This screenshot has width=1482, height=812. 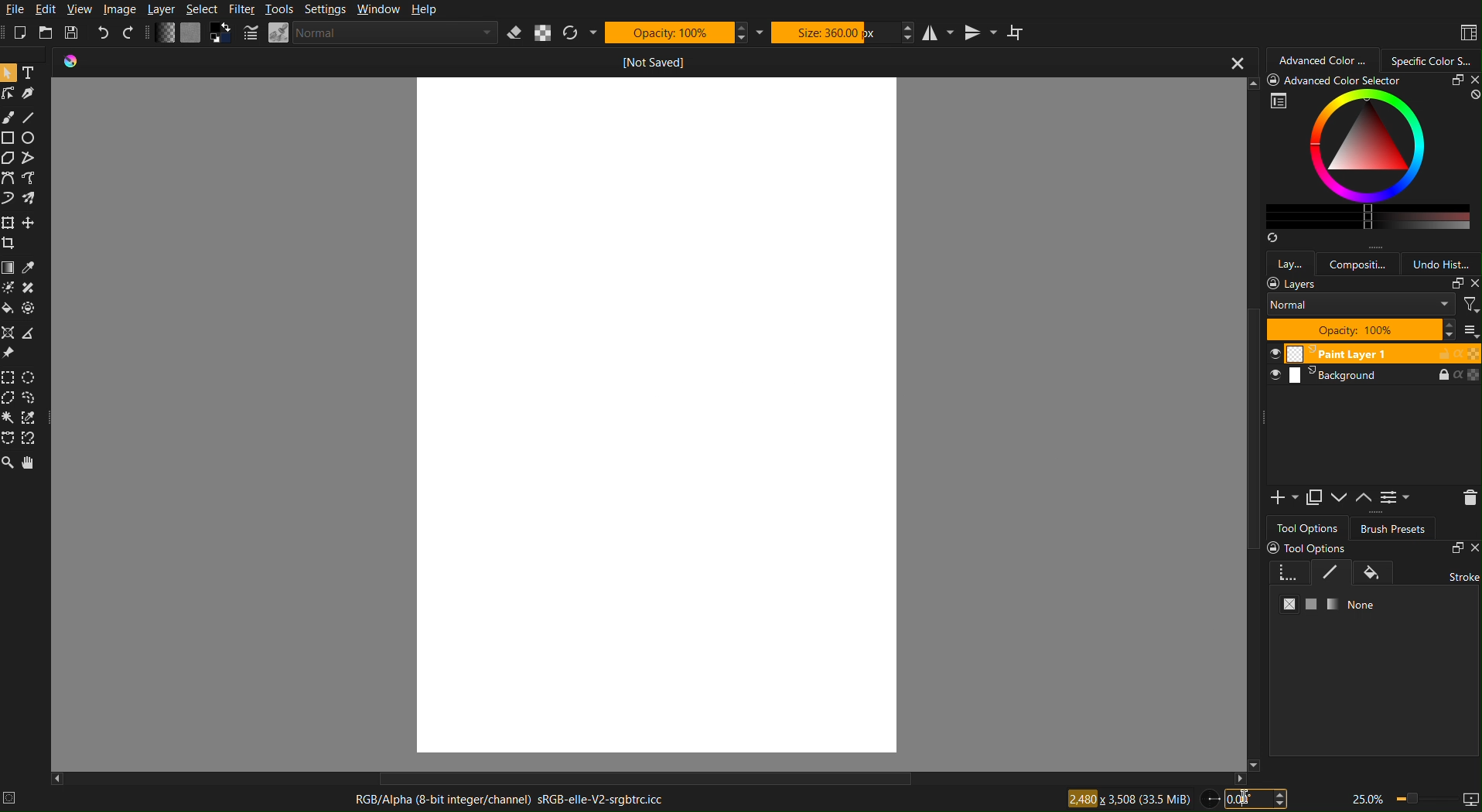 I want to click on Layers, so click(x=1286, y=264).